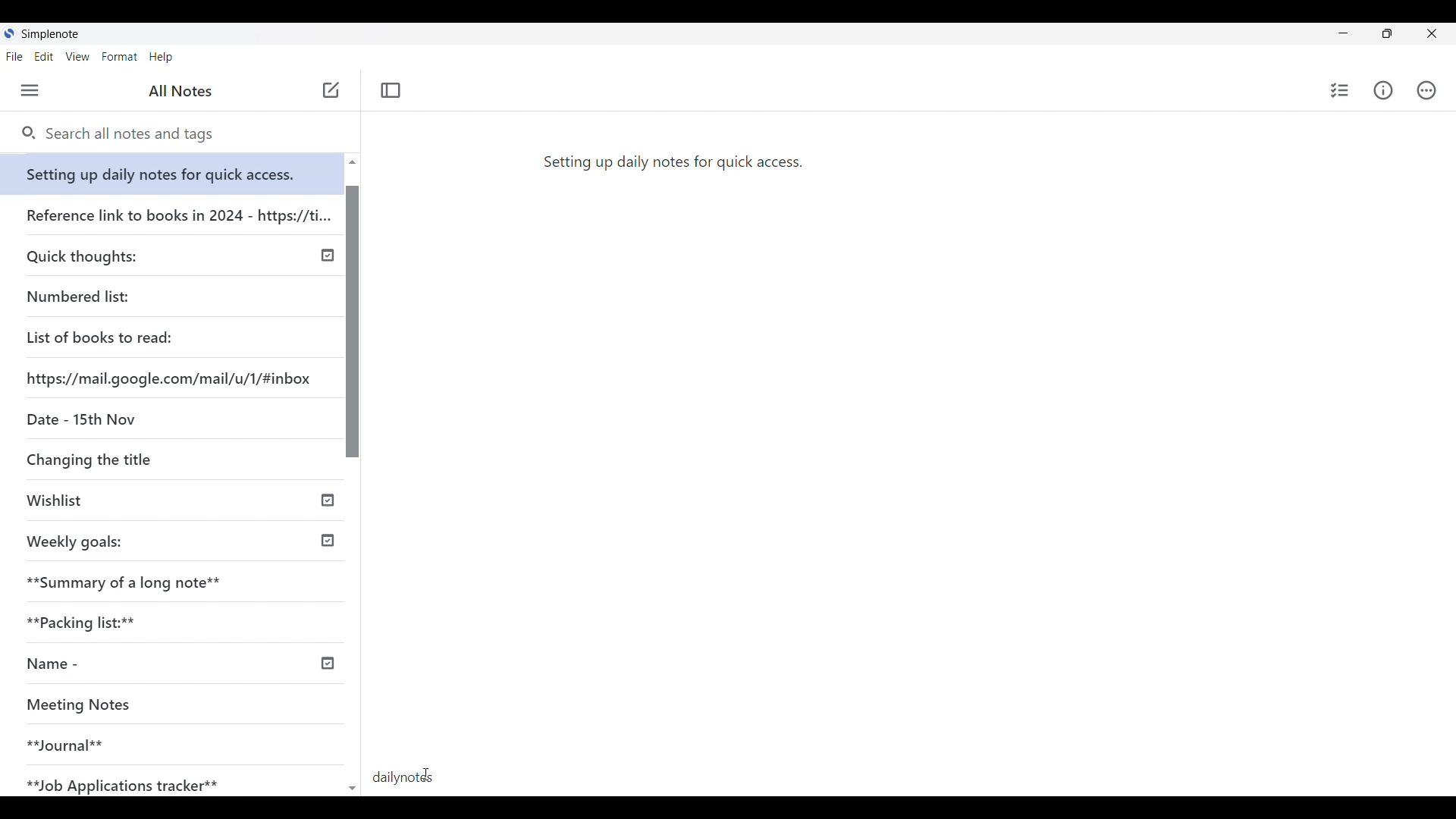  Describe the element at coordinates (120, 57) in the screenshot. I see `Format menu` at that location.